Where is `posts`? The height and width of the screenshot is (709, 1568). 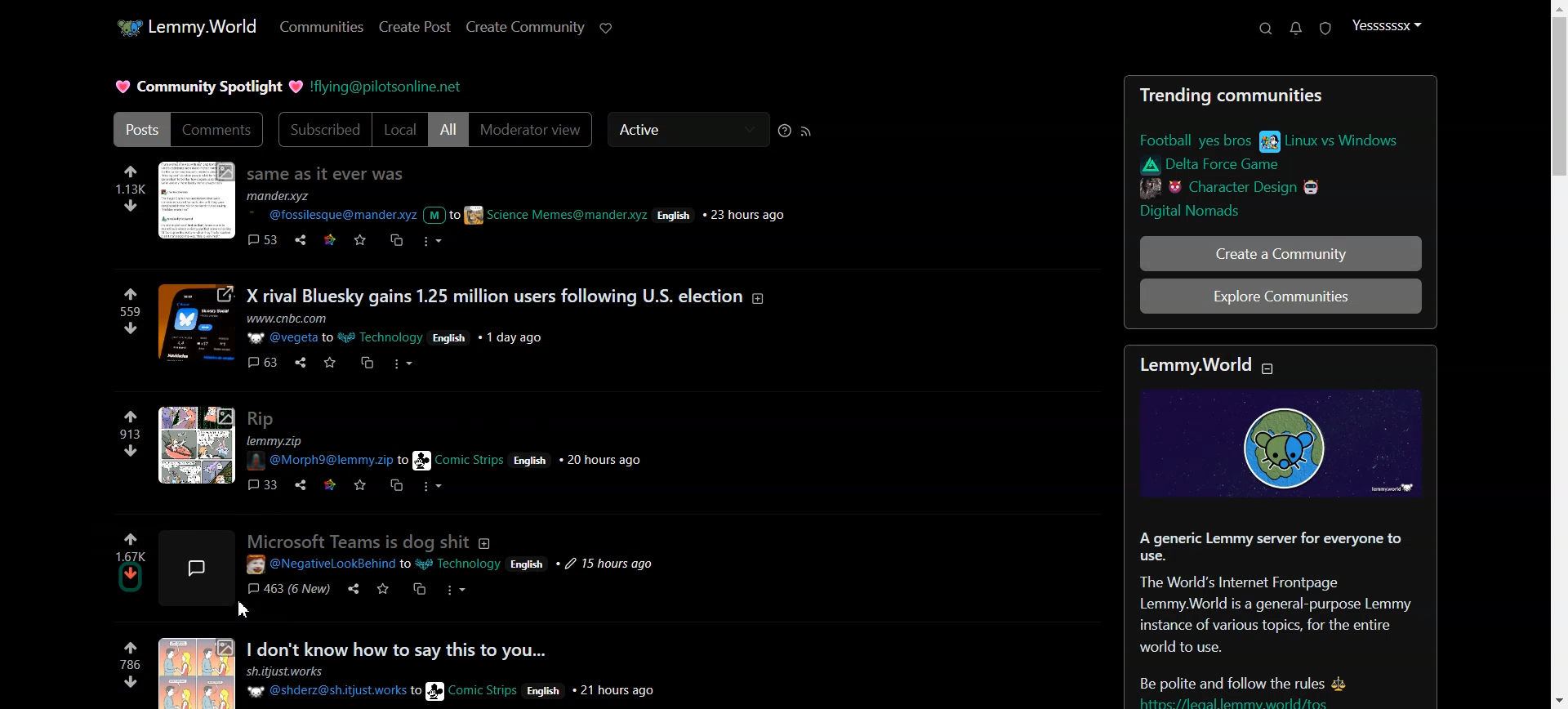 posts is located at coordinates (507, 292).